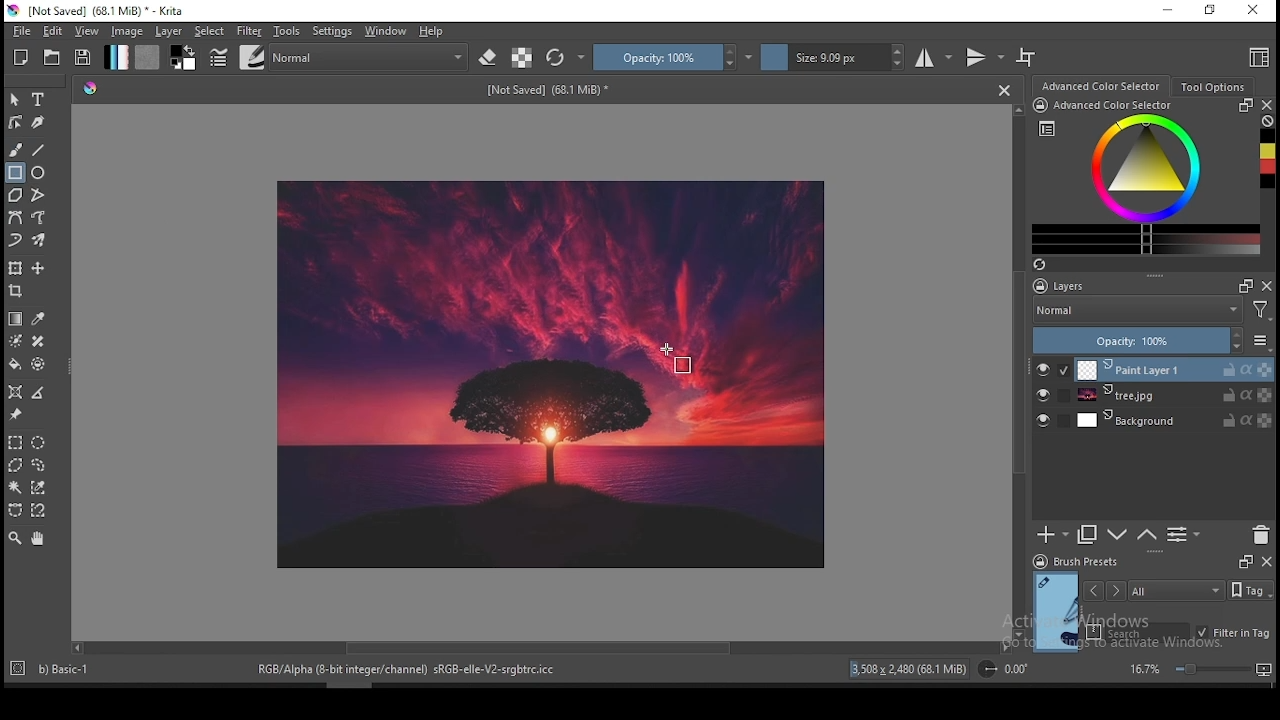 This screenshot has width=1280, height=720. What do you see at coordinates (16, 391) in the screenshot?
I see `assistant tool` at bounding box center [16, 391].